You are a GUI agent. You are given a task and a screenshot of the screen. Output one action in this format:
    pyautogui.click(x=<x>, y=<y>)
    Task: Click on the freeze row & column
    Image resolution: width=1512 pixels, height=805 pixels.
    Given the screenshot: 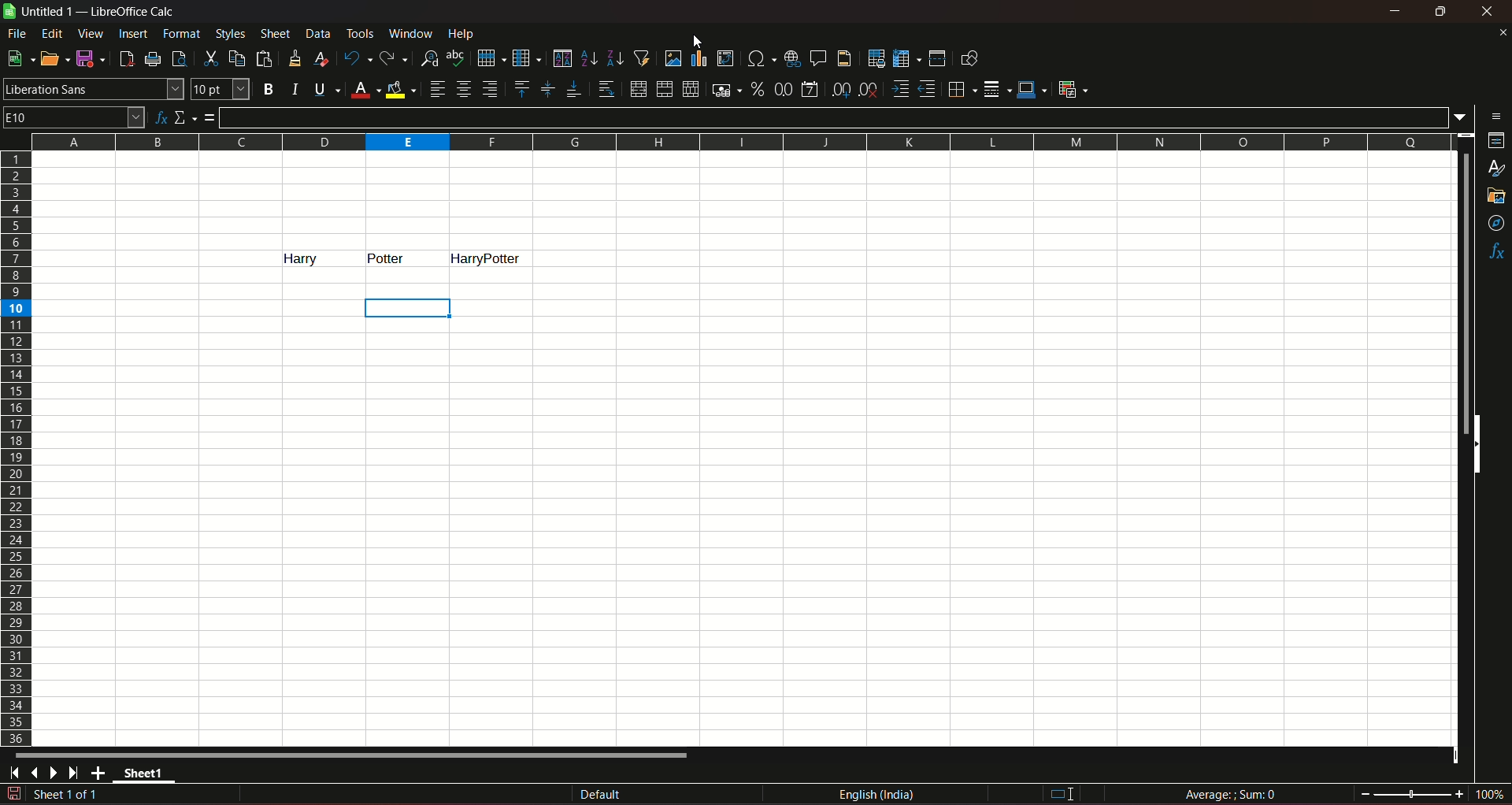 What is the action you would take?
    pyautogui.click(x=906, y=59)
    